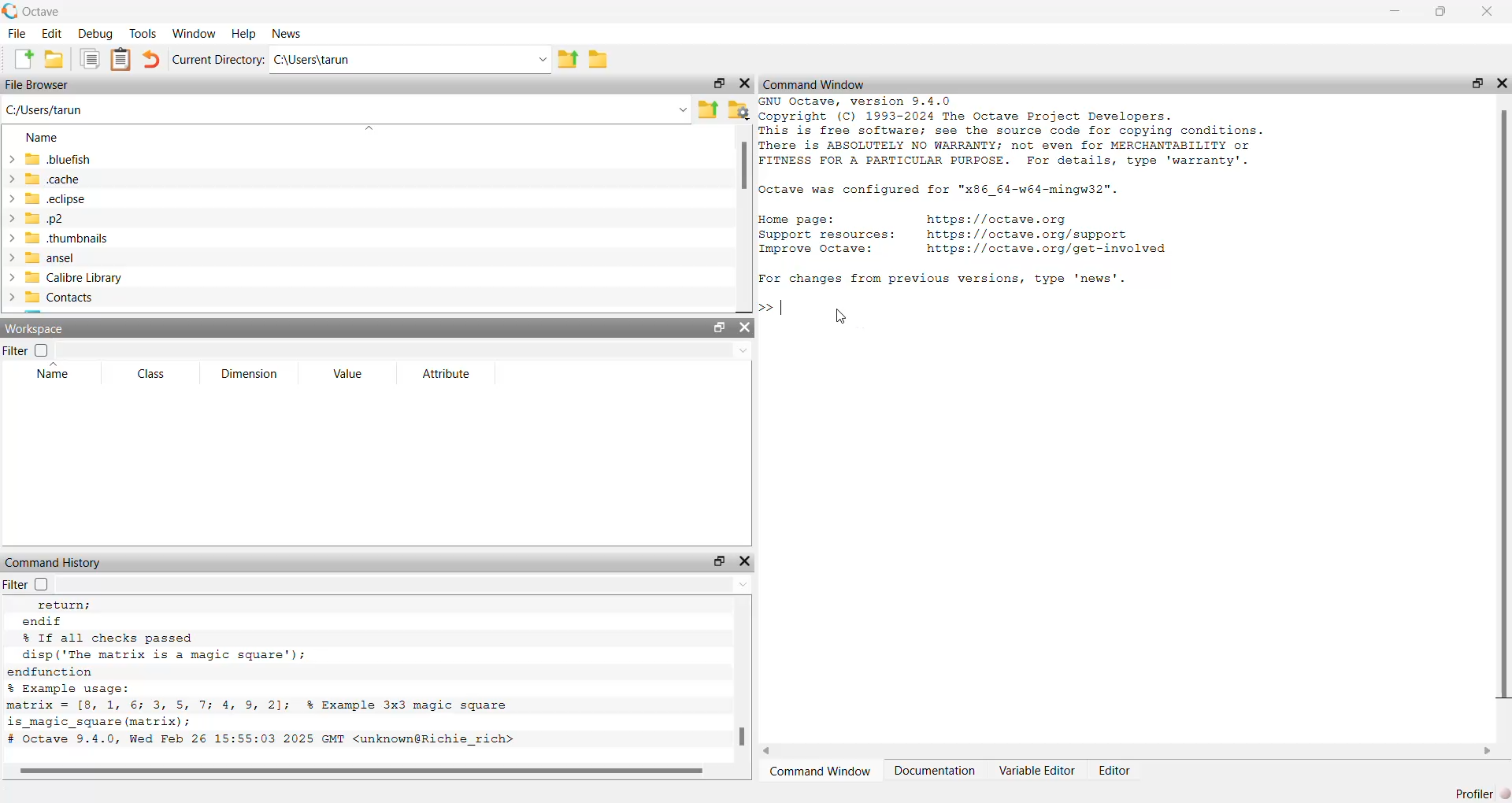 The image size is (1512, 803). Describe the element at coordinates (55, 238) in the screenshot. I see `.thumbnails` at that location.